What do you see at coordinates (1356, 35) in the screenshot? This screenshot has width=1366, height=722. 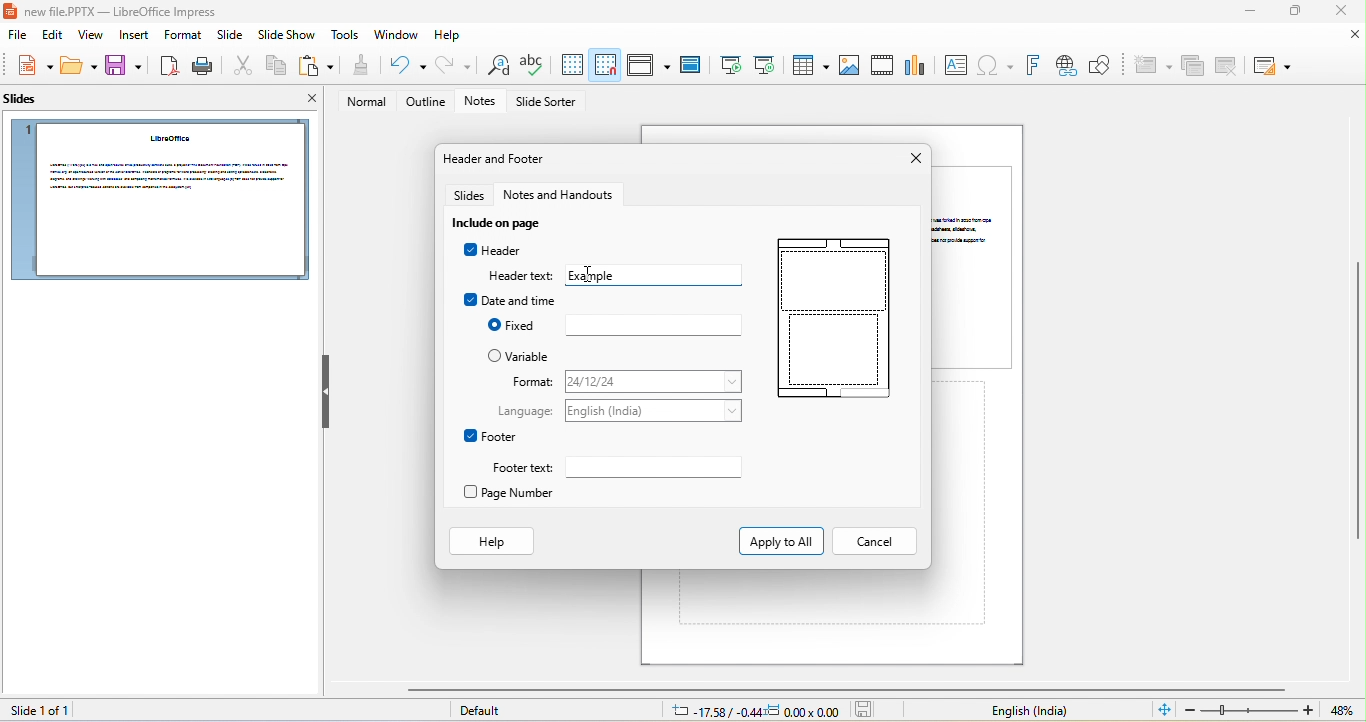 I see `close` at bounding box center [1356, 35].